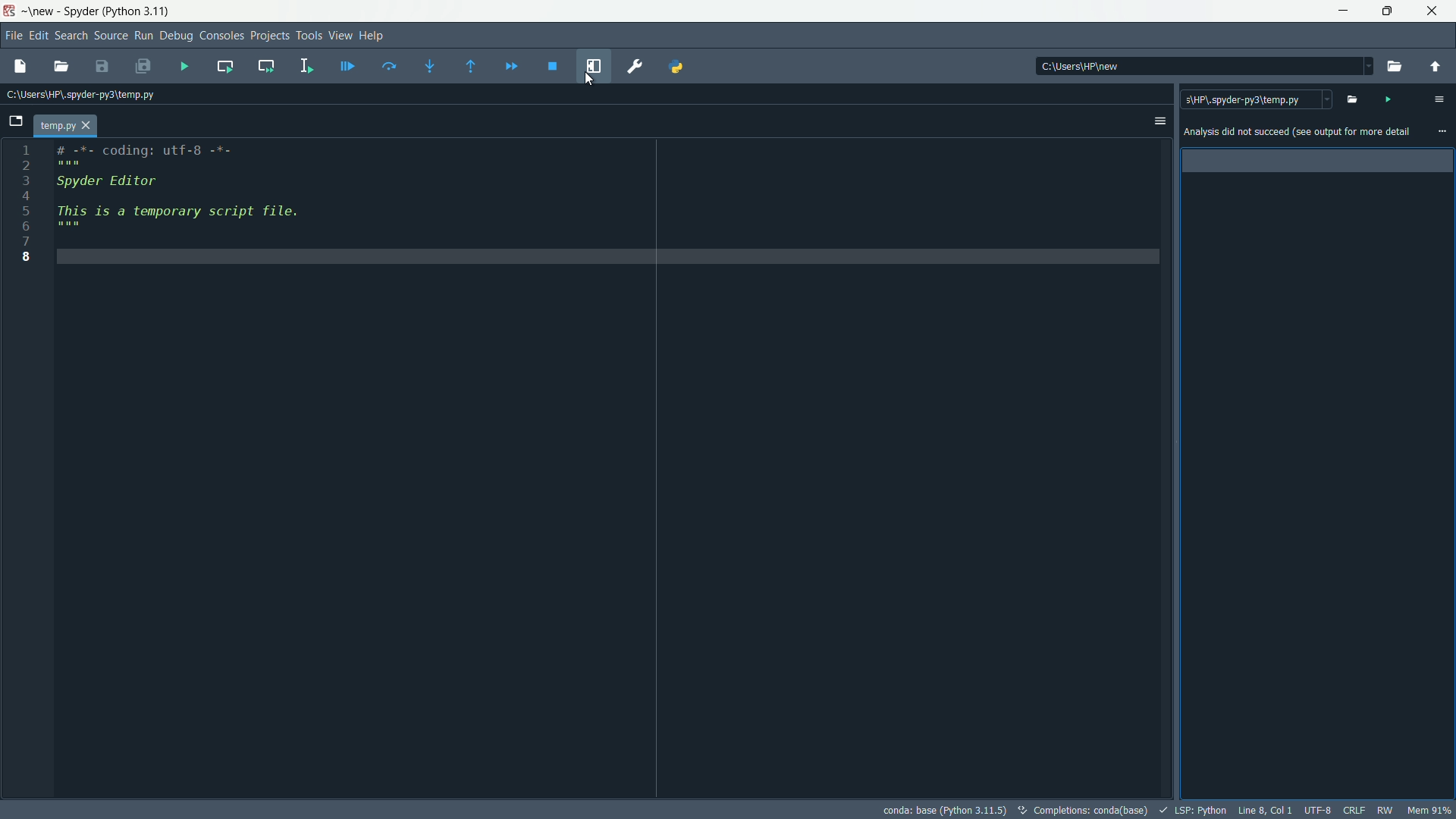 The height and width of the screenshot is (819, 1456). What do you see at coordinates (37, 36) in the screenshot?
I see `edit menu` at bounding box center [37, 36].